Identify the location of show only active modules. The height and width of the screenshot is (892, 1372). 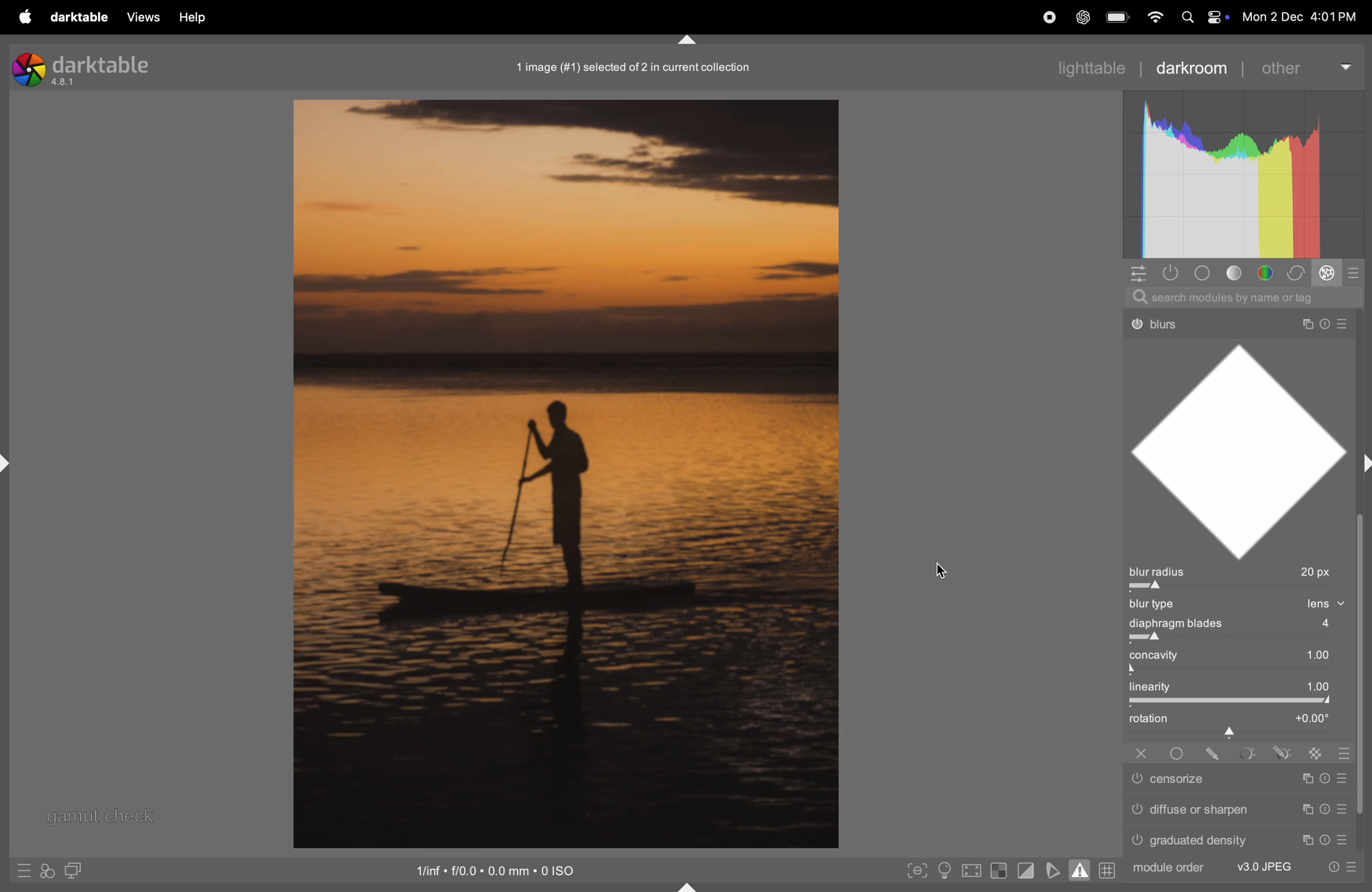
(1170, 273).